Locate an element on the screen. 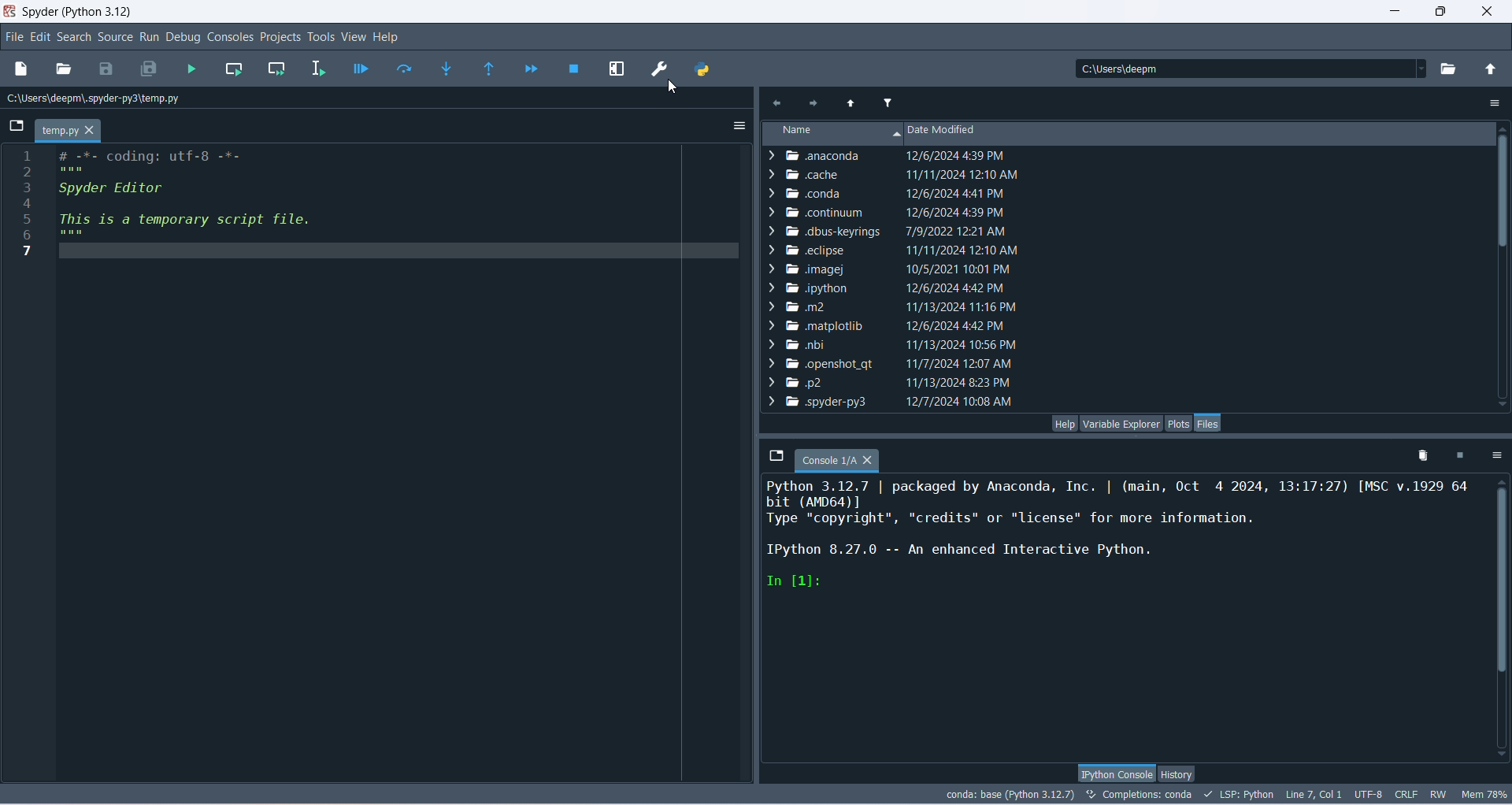 This screenshot has width=1512, height=805. console is located at coordinates (837, 462).